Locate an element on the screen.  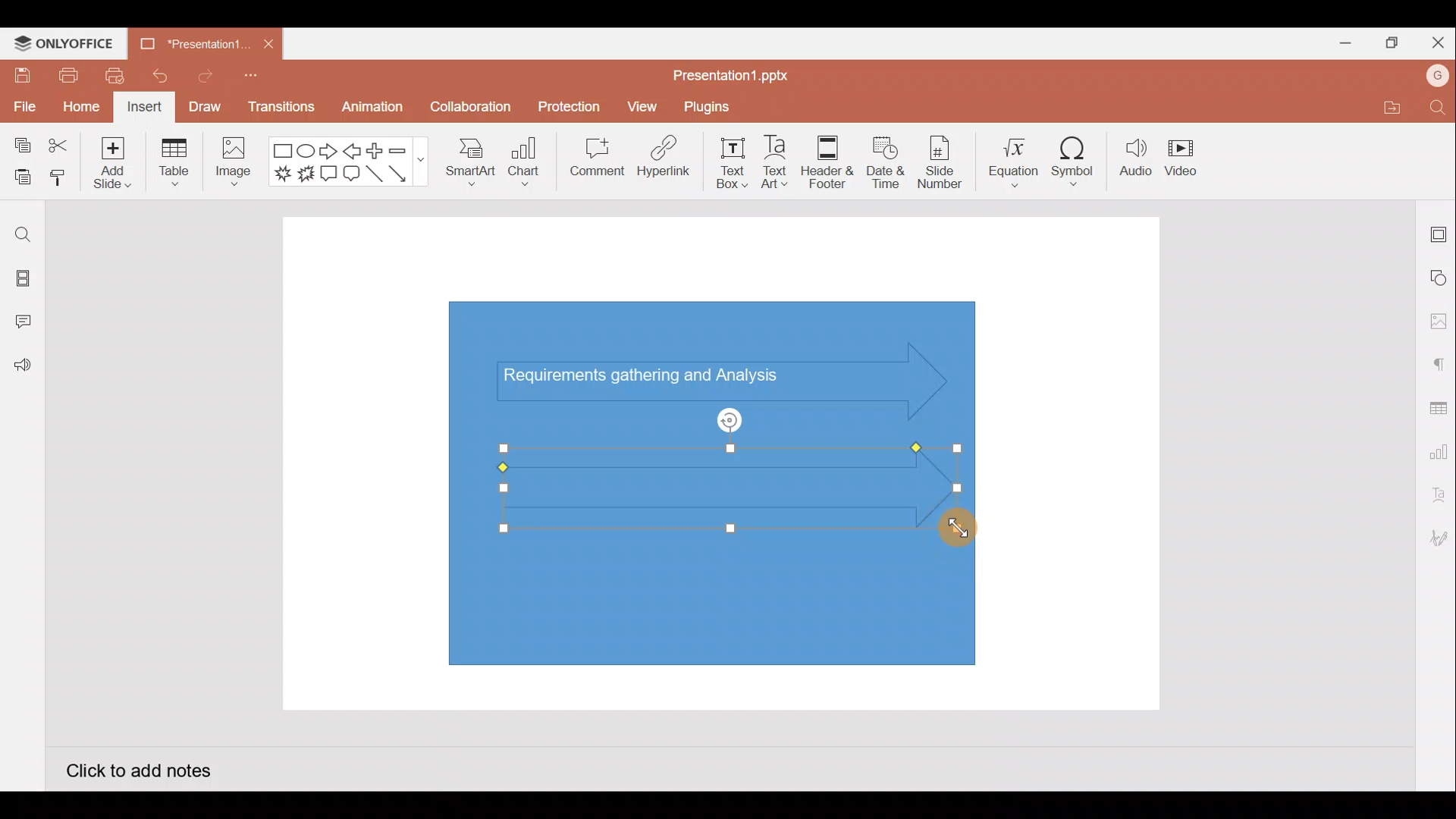
Text Art is located at coordinates (781, 158).